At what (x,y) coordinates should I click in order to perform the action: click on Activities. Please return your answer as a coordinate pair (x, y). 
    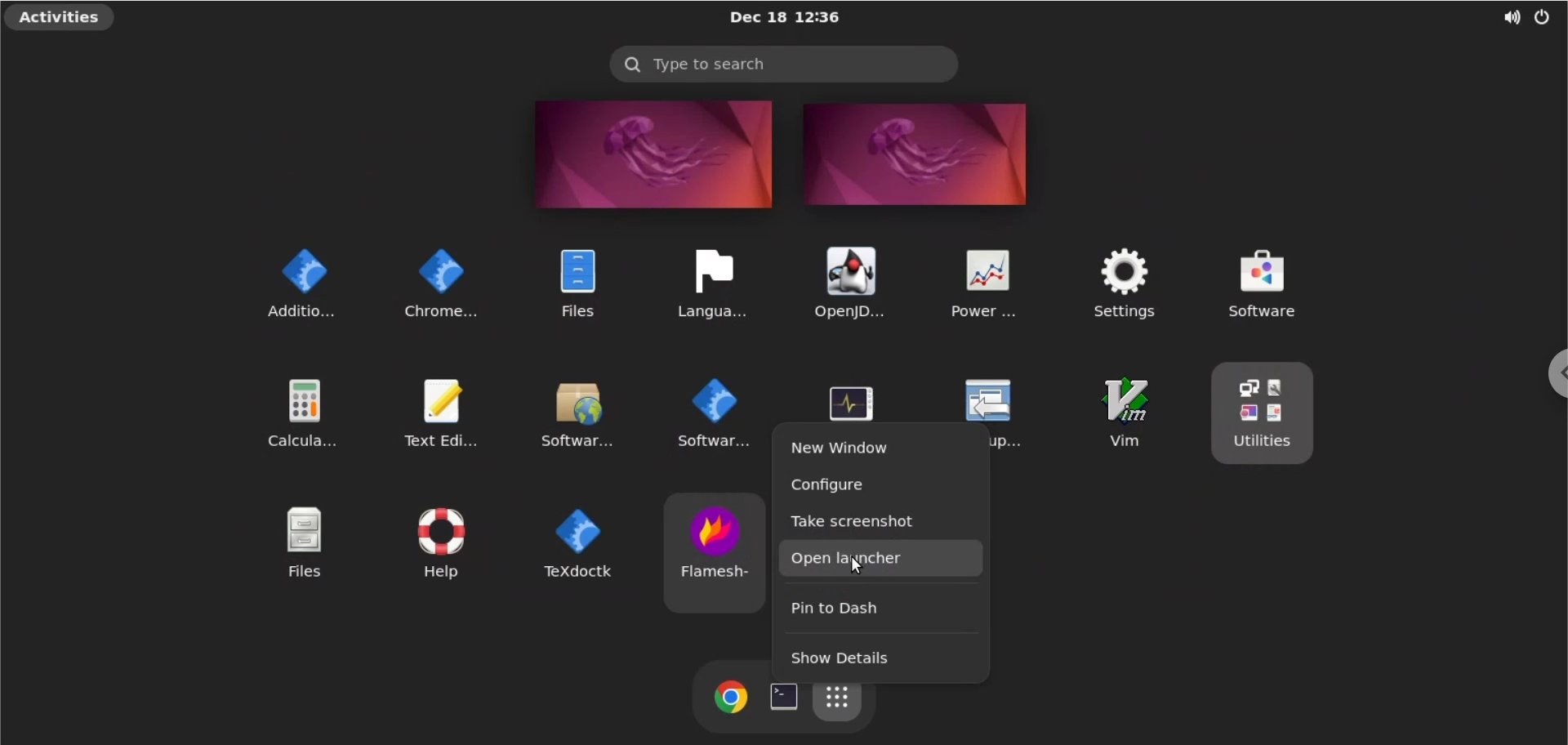
    Looking at the image, I should click on (62, 19).